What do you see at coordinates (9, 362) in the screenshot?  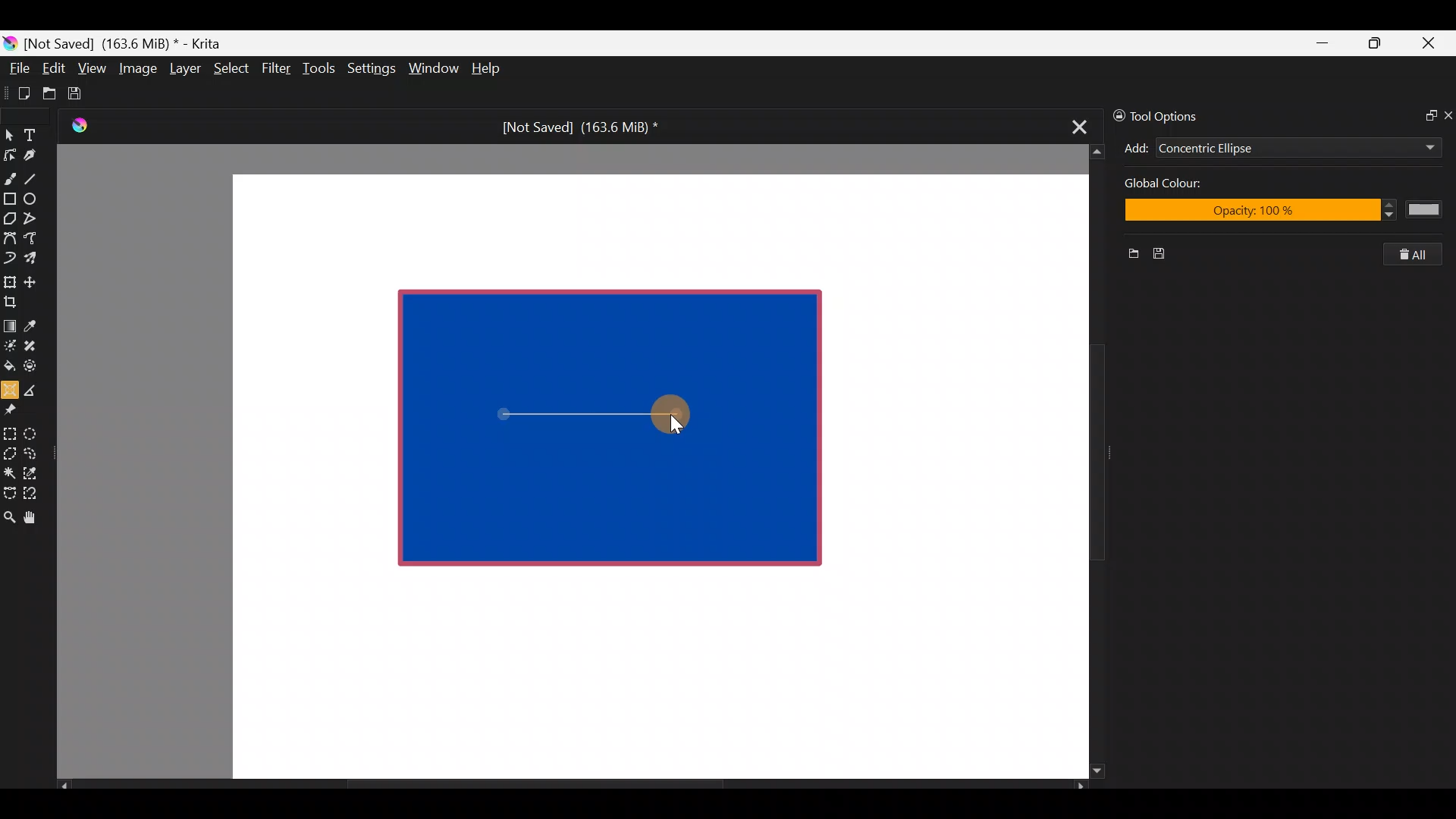 I see `Fill a contiguous area of colour with colour/fill a selection` at bounding box center [9, 362].